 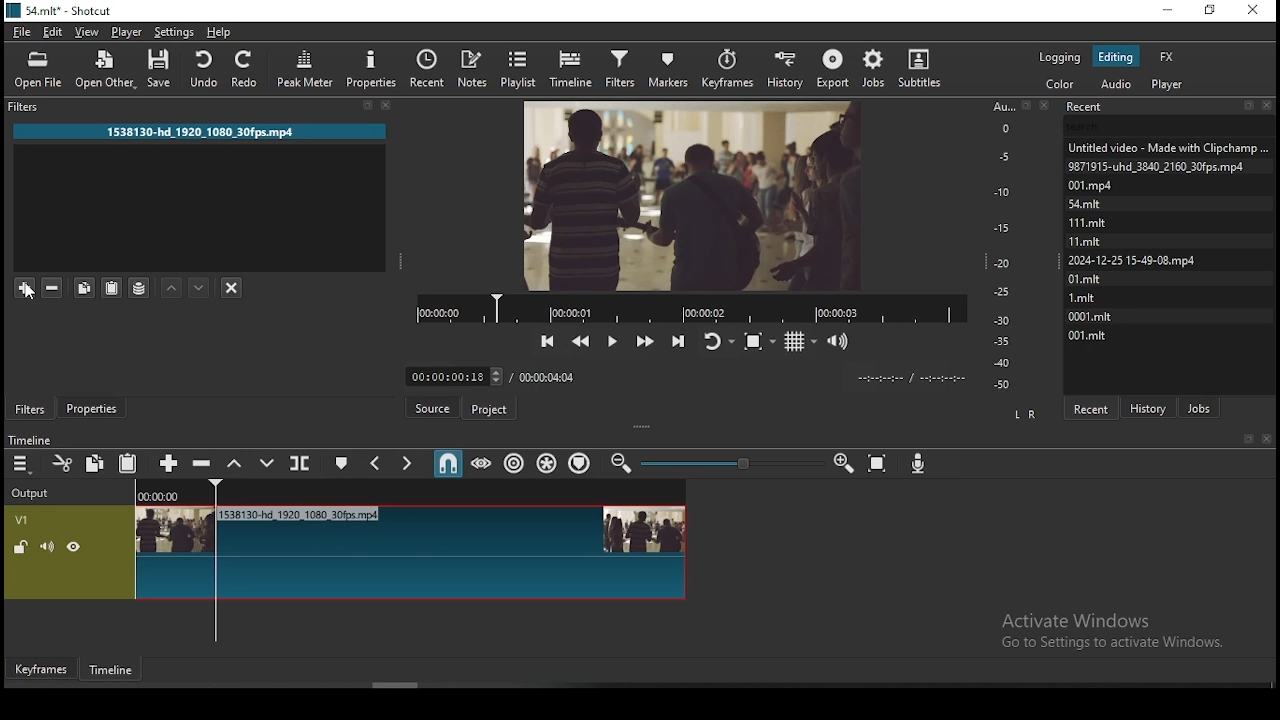 What do you see at coordinates (130, 464) in the screenshot?
I see `paste` at bounding box center [130, 464].